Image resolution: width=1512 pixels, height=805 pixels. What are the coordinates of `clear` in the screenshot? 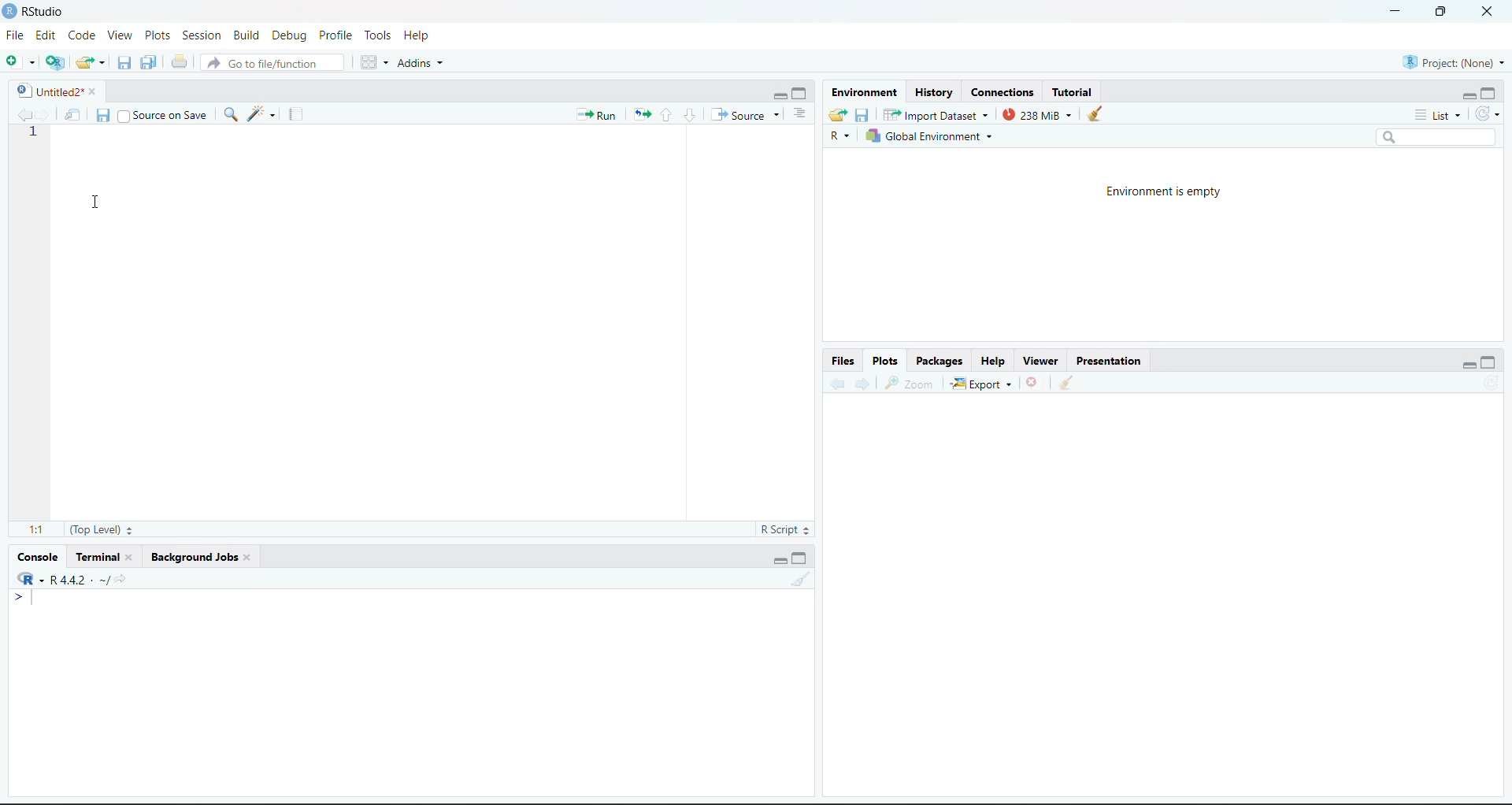 It's located at (800, 579).